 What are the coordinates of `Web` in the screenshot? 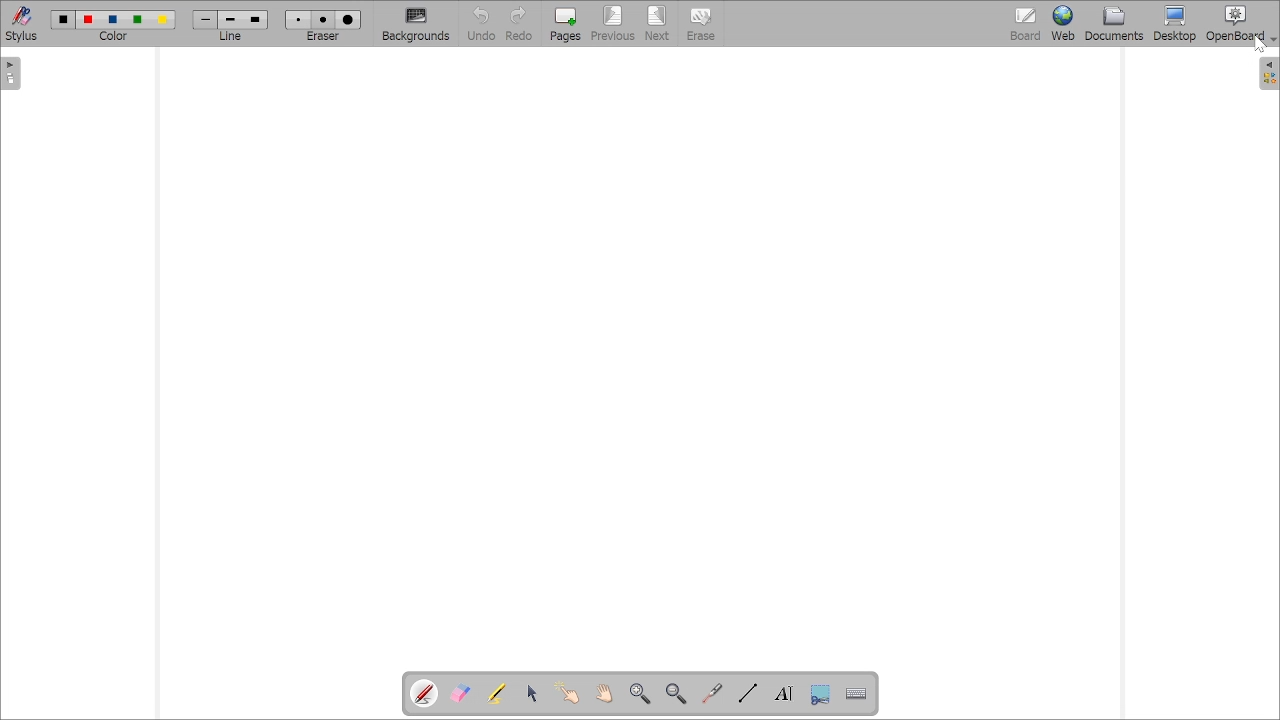 It's located at (1059, 23).